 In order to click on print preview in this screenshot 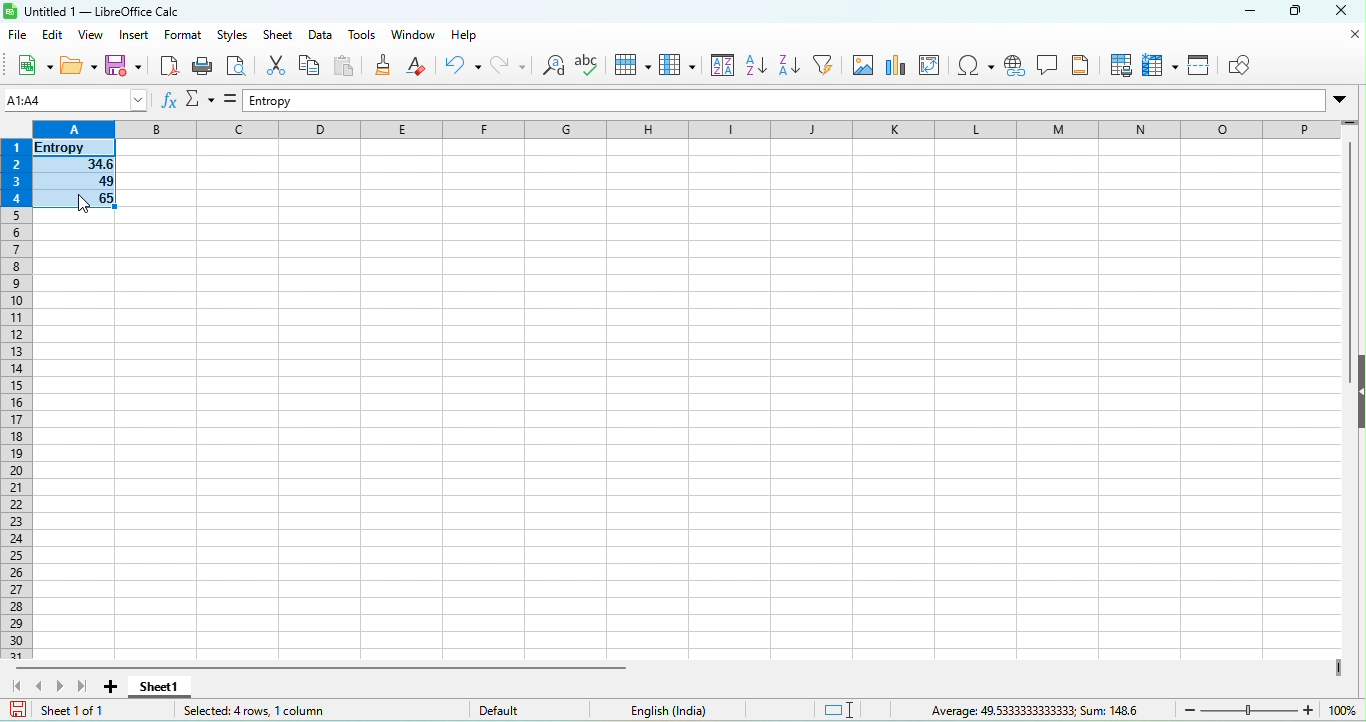, I will do `click(241, 67)`.